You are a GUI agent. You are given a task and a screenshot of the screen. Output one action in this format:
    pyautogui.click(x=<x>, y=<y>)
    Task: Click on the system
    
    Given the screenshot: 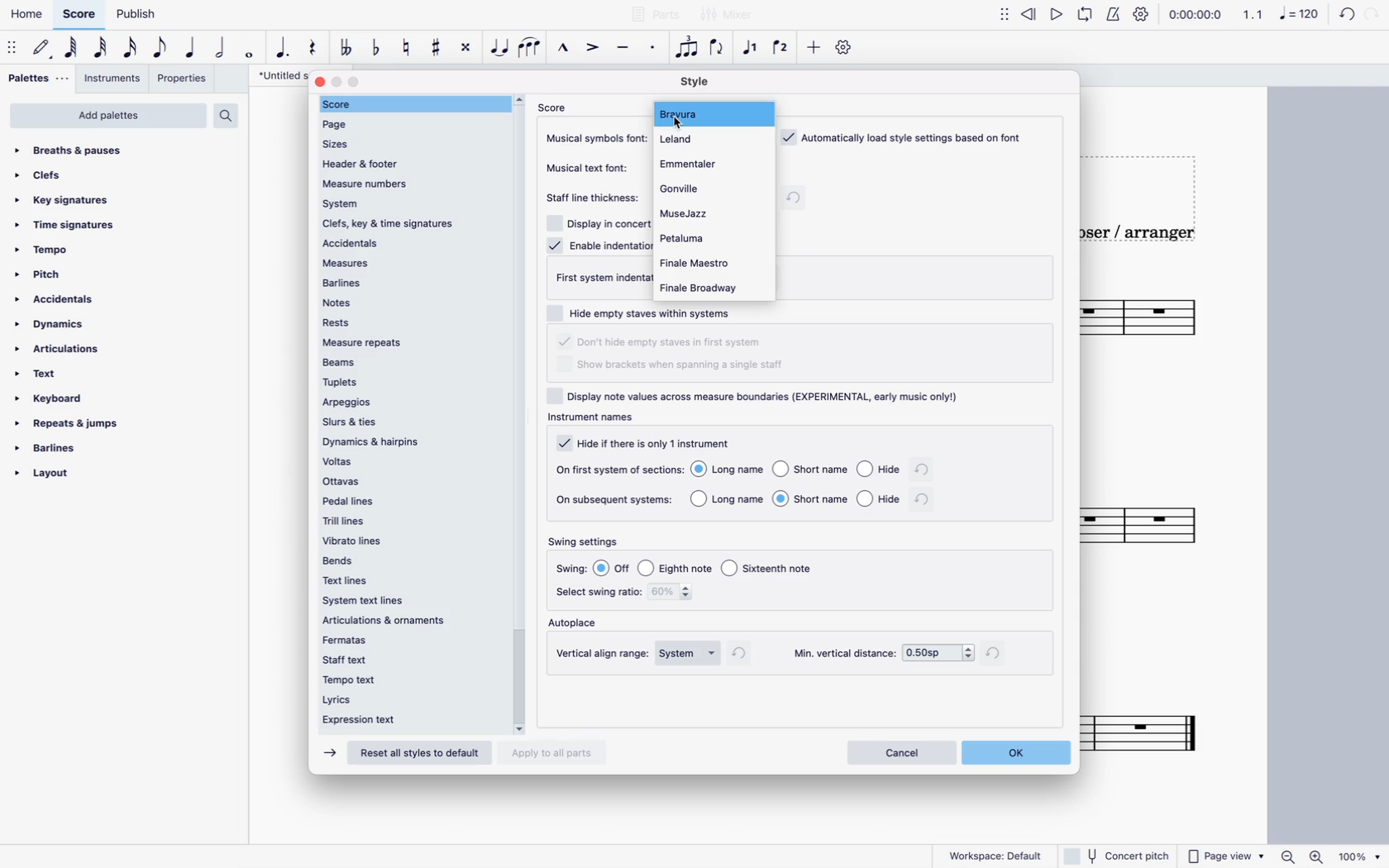 What is the action you would take?
    pyautogui.click(x=689, y=654)
    